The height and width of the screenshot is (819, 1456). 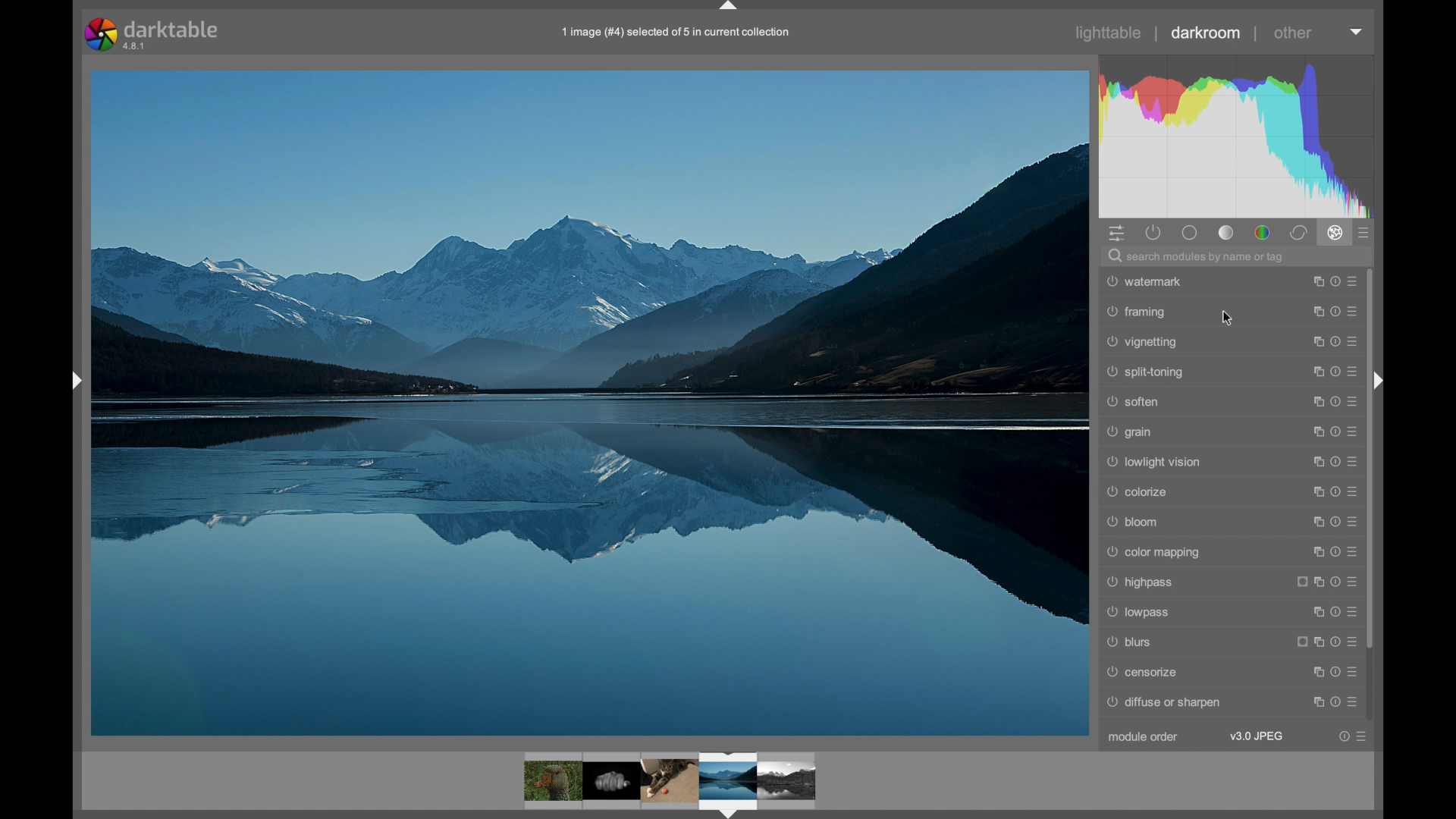 What do you see at coordinates (1141, 583) in the screenshot?
I see `highpass` at bounding box center [1141, 583].